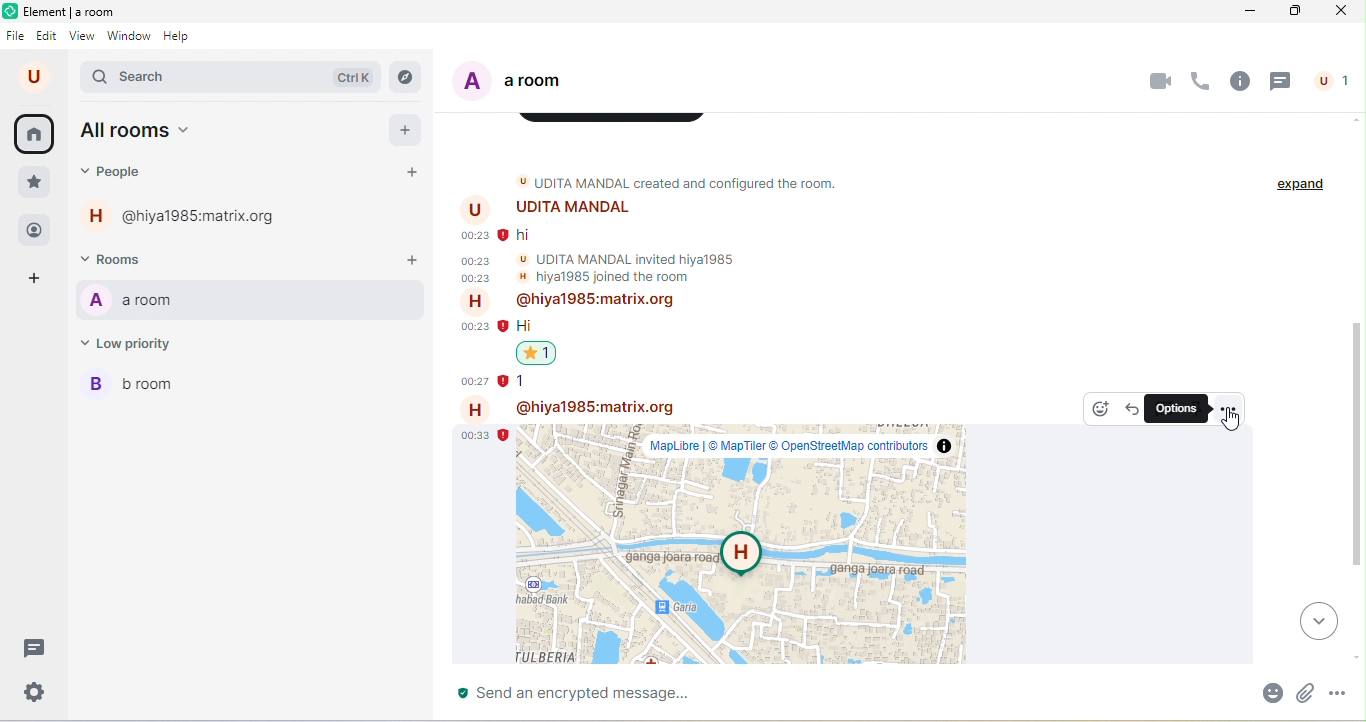 This screenshot has width=1366, height=722. What do you see at coordinates (1339, 690) in the screenshot?
I see `more options` at bounding box center [1339, 690].